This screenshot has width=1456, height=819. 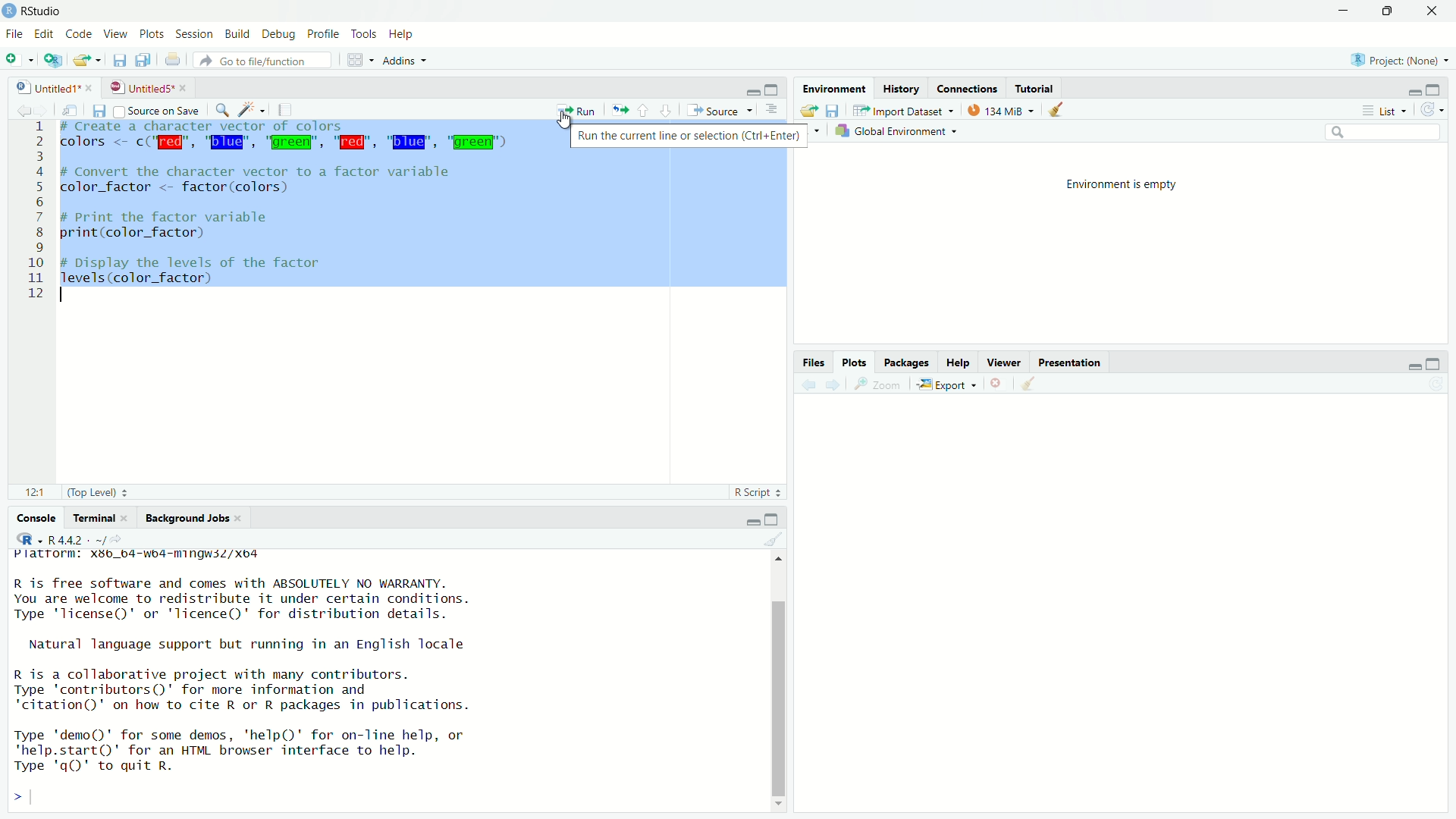 What do you see at coordinates (718, 111) in the screenshot?
I see `source` at bounding box center [718, 111].